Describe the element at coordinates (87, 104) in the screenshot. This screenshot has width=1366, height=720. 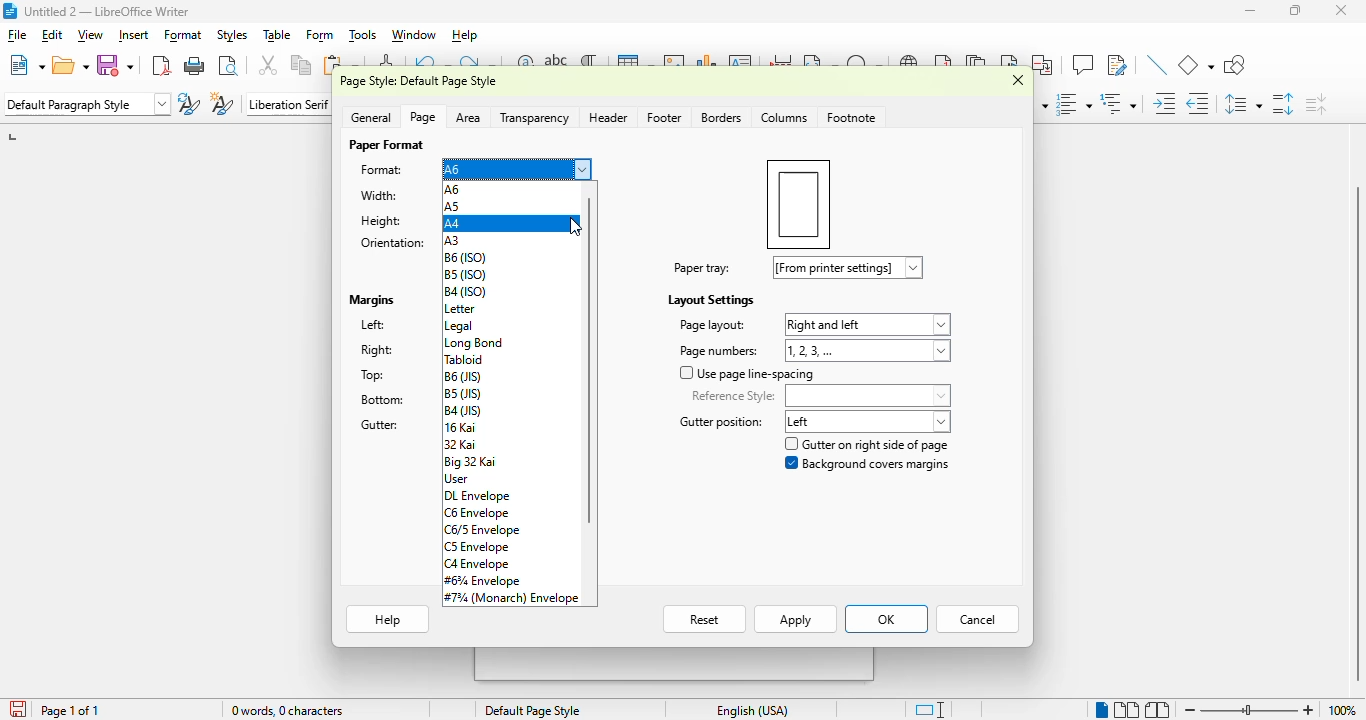
I see `set paragraph style` at that location.